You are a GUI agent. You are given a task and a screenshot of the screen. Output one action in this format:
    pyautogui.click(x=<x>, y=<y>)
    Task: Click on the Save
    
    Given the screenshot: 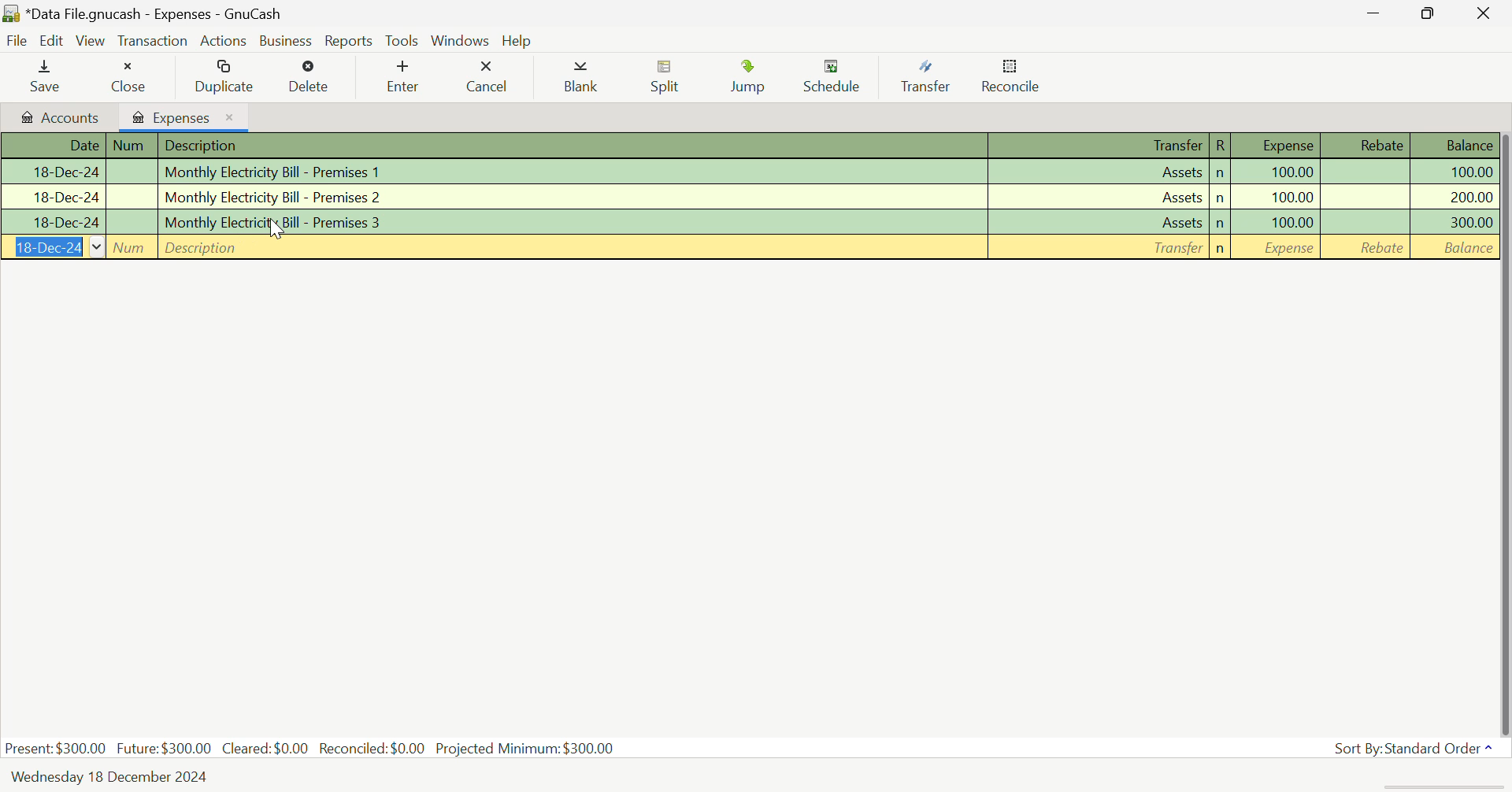 What is the action you would take?
    pyautogui.click(x=46, y=77)
    